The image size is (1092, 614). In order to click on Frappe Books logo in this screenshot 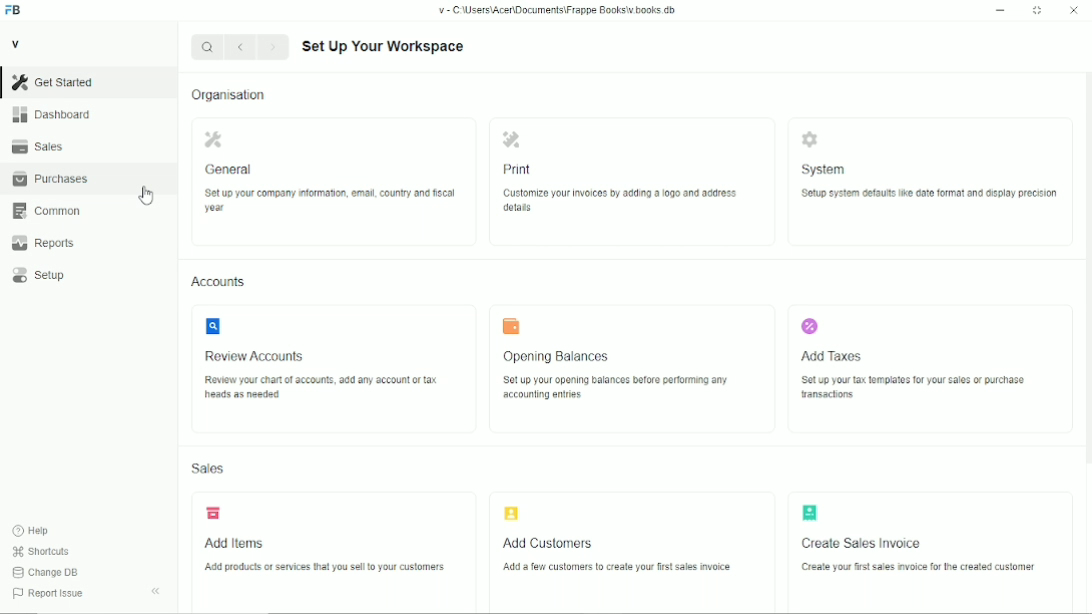, I will do `click(12, 9)`.